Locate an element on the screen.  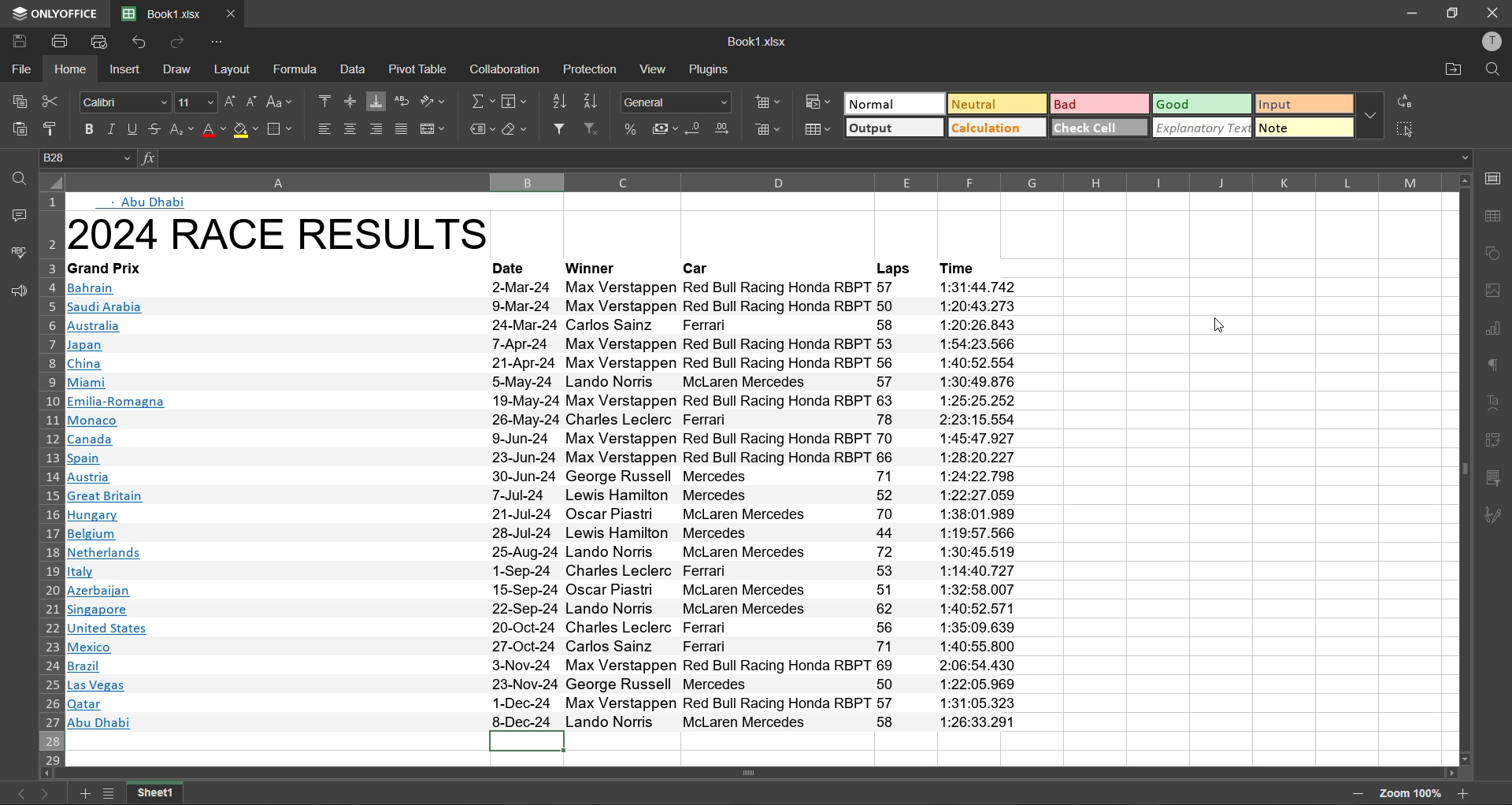
Date is located at coordinates (510, 267).